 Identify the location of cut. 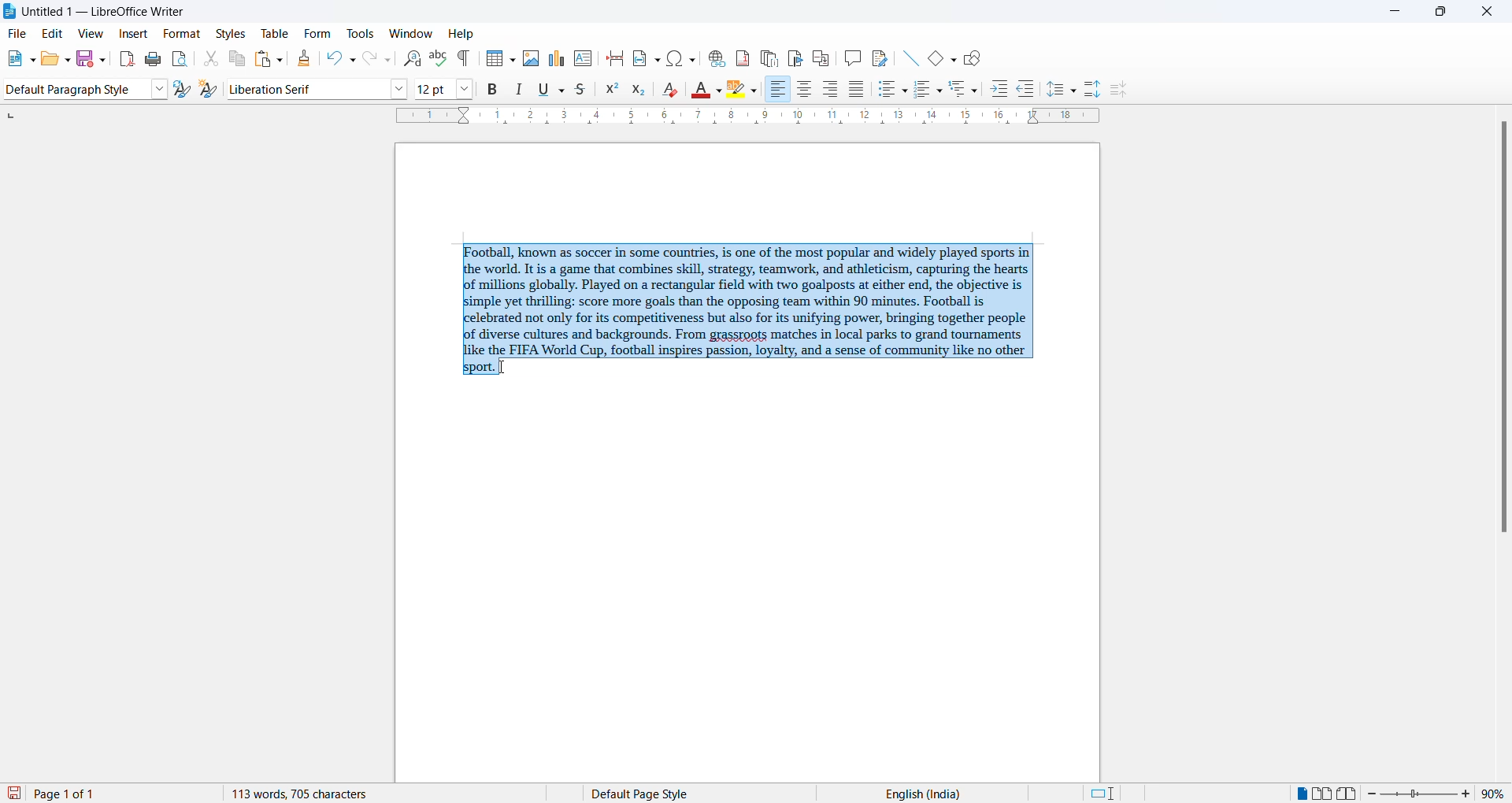
(209, 56).